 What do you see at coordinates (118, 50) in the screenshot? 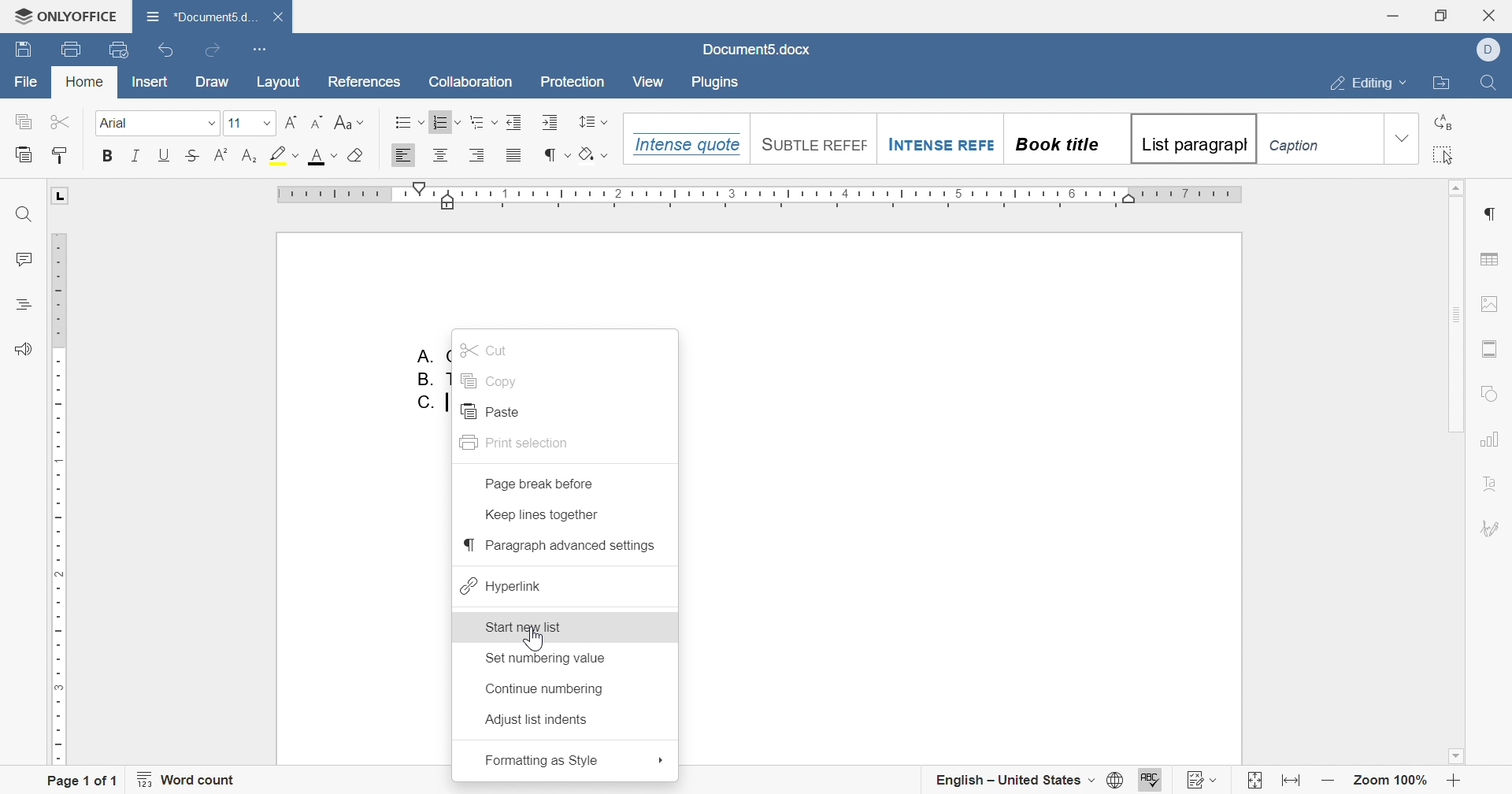
I see `quick print` at bounding box center [118, 50].